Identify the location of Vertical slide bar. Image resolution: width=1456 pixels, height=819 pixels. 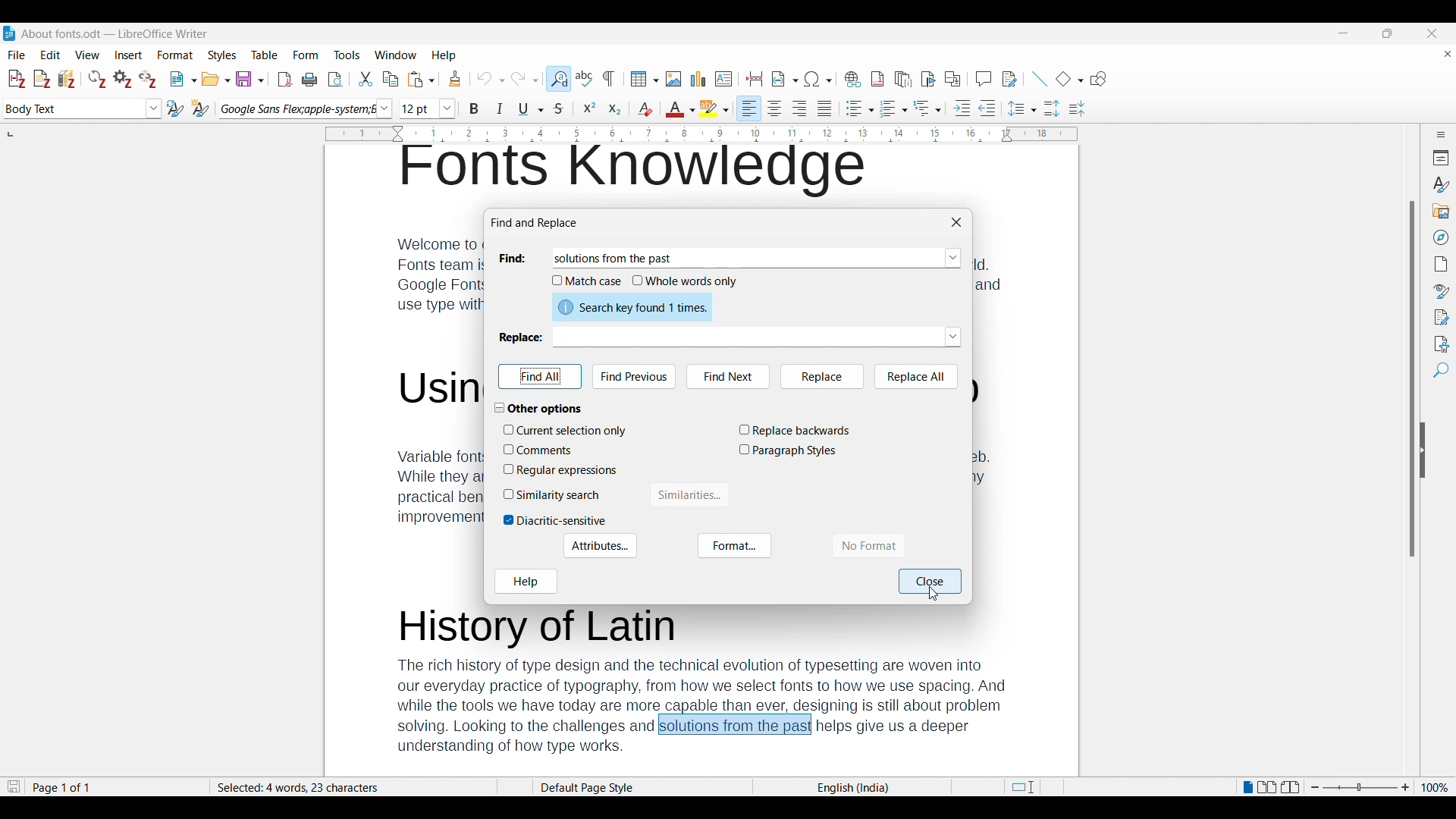
(1412, 318).